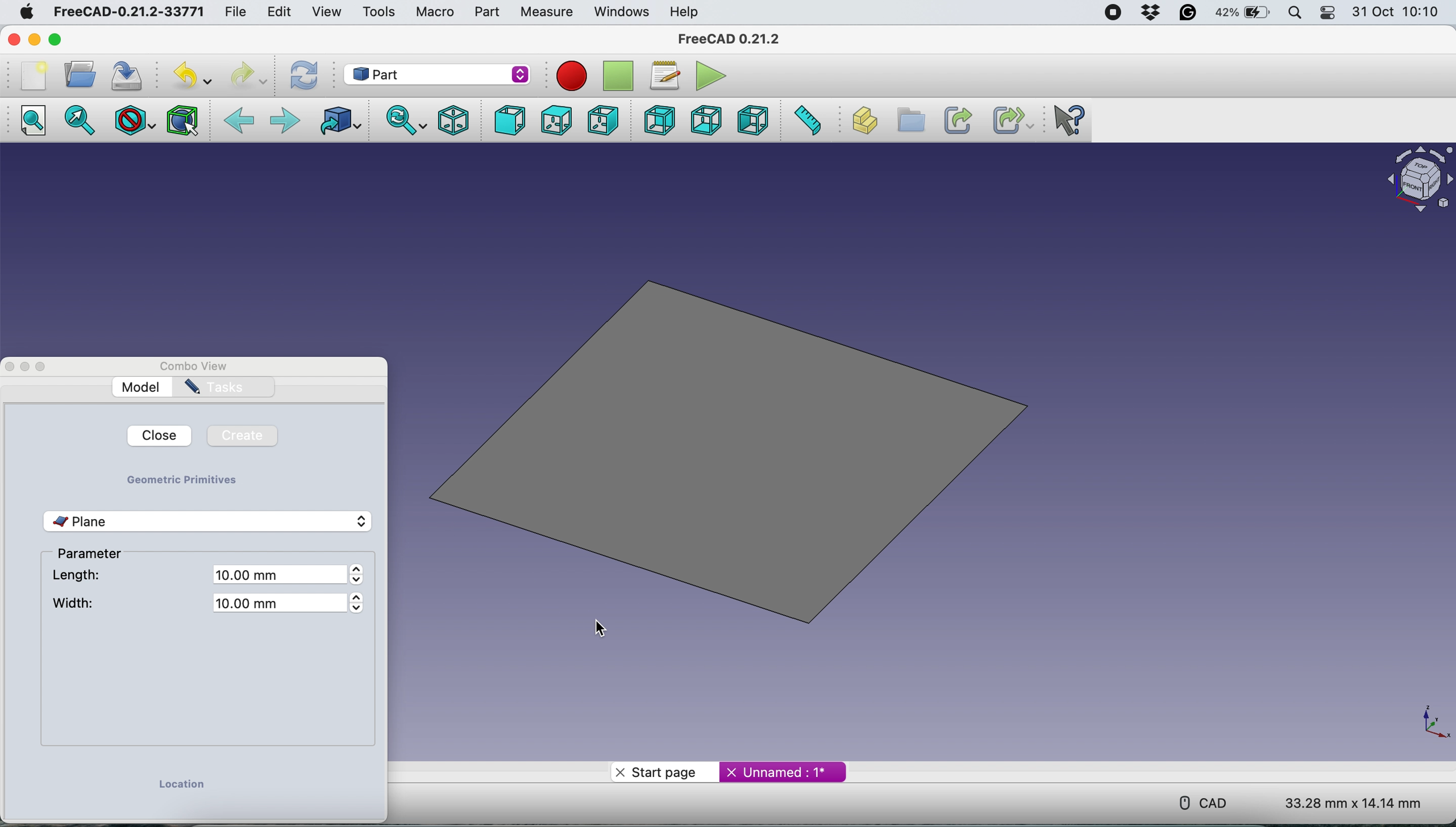  I want to click on parameter, so click(96, 555).